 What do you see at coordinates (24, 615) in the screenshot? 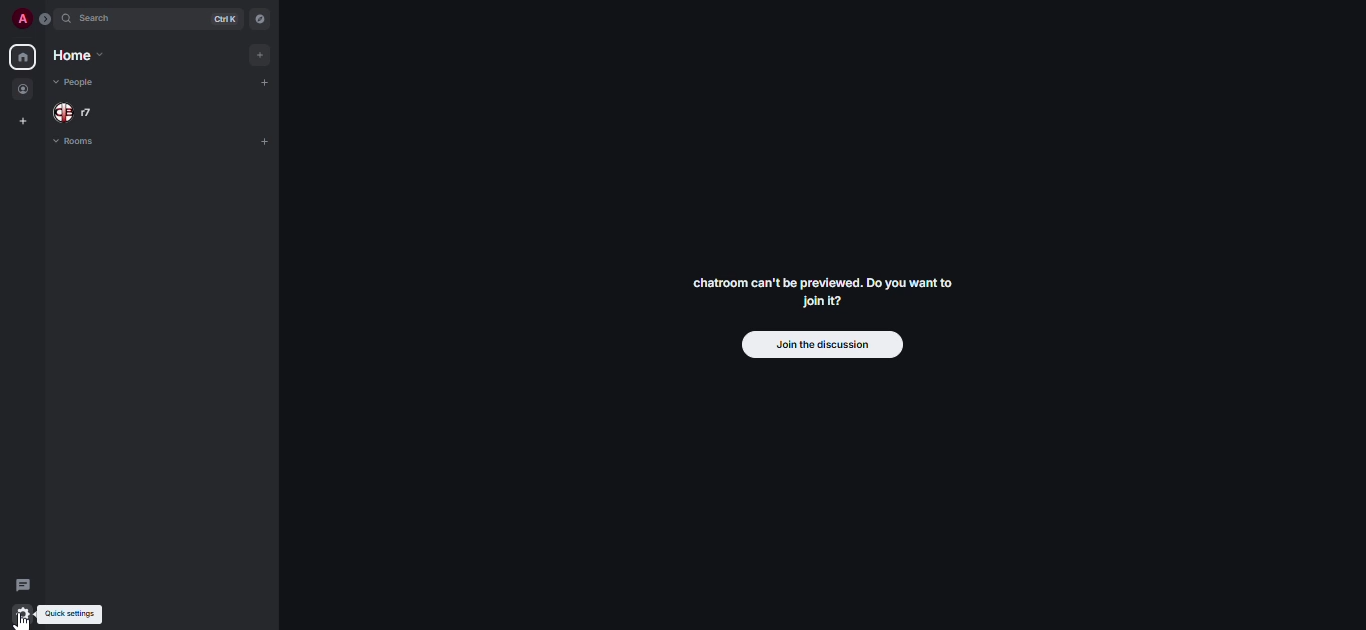
I see `quick settings` at bounding box center [24, 615].